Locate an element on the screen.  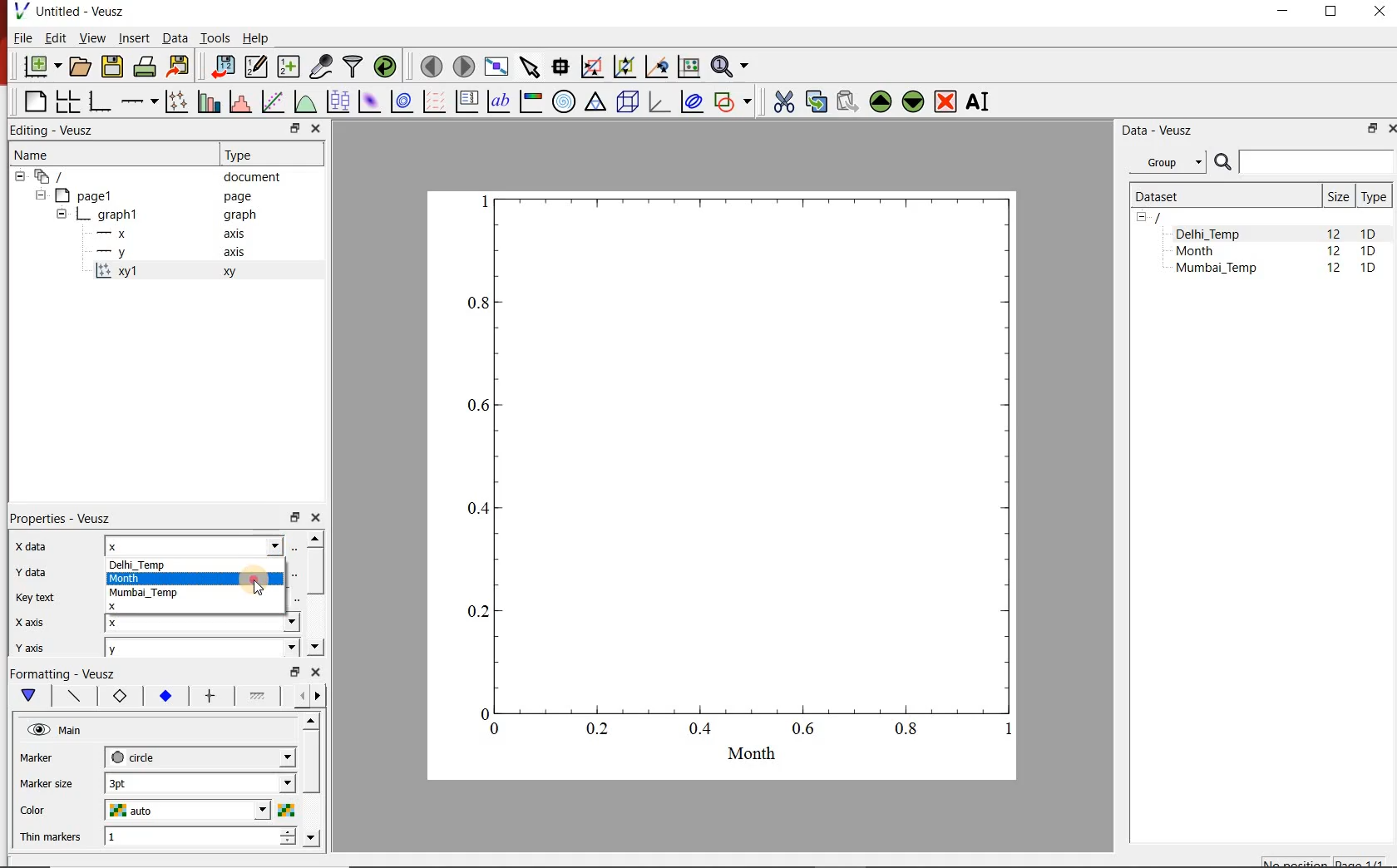
view plot full screen is located at coordinates (496, 67).